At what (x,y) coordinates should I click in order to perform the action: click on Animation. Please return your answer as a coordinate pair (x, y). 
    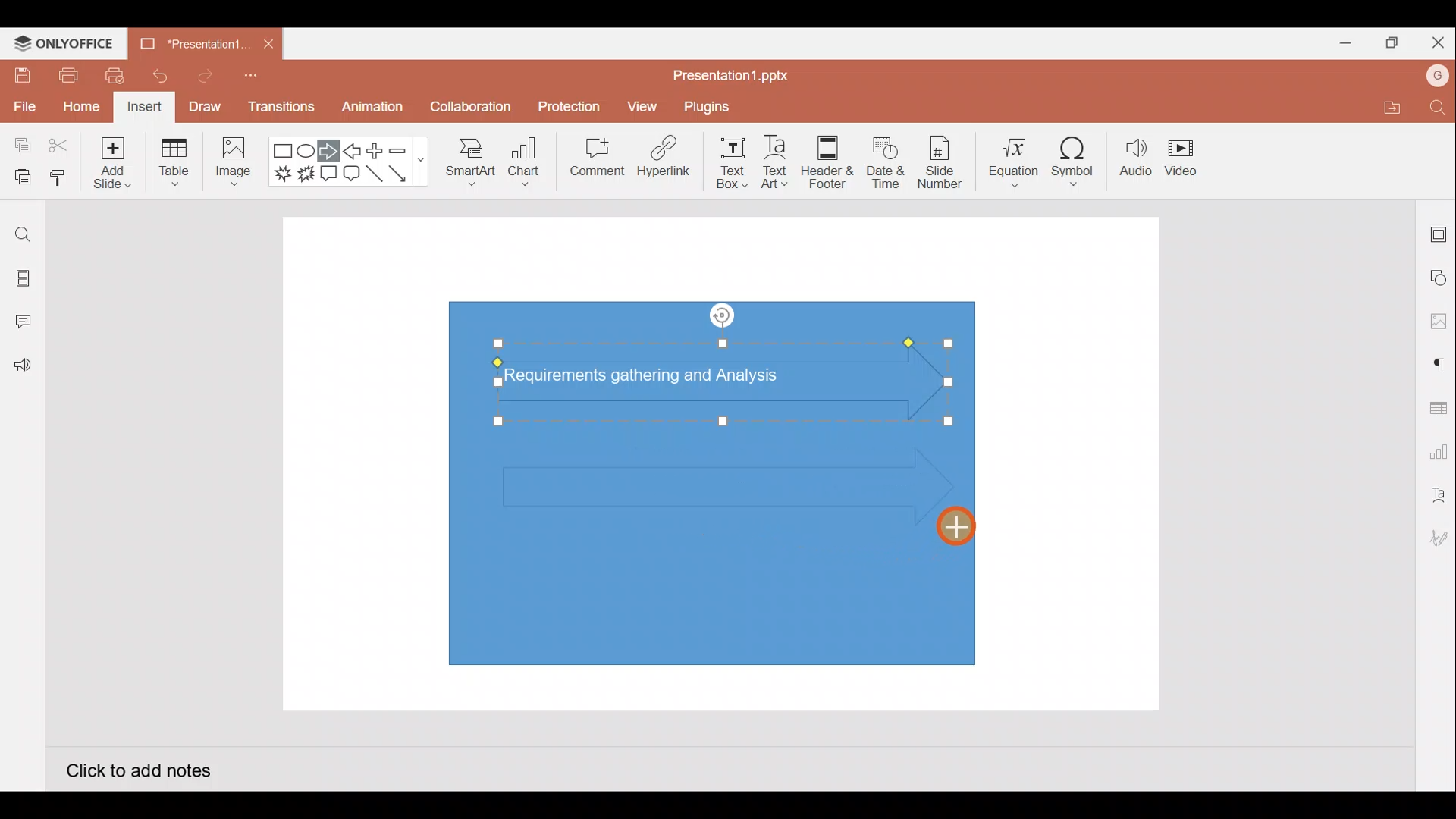
    Looking at the image, I should click on (374, 111).